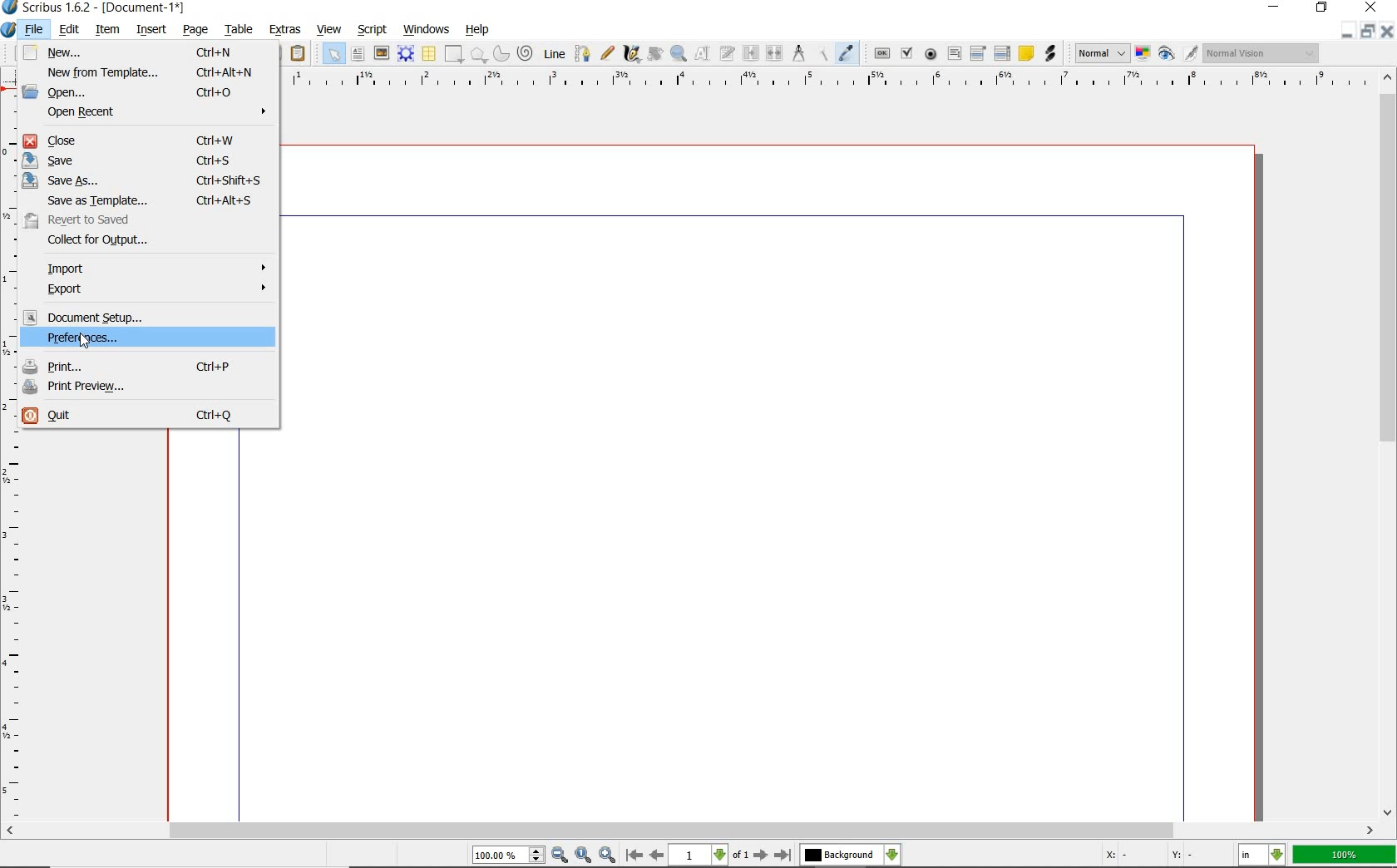 This screenshot has height=868, width=1397. Describe the element at coordinates (1345, 32) in the screenshot. I see `restore` at that location.